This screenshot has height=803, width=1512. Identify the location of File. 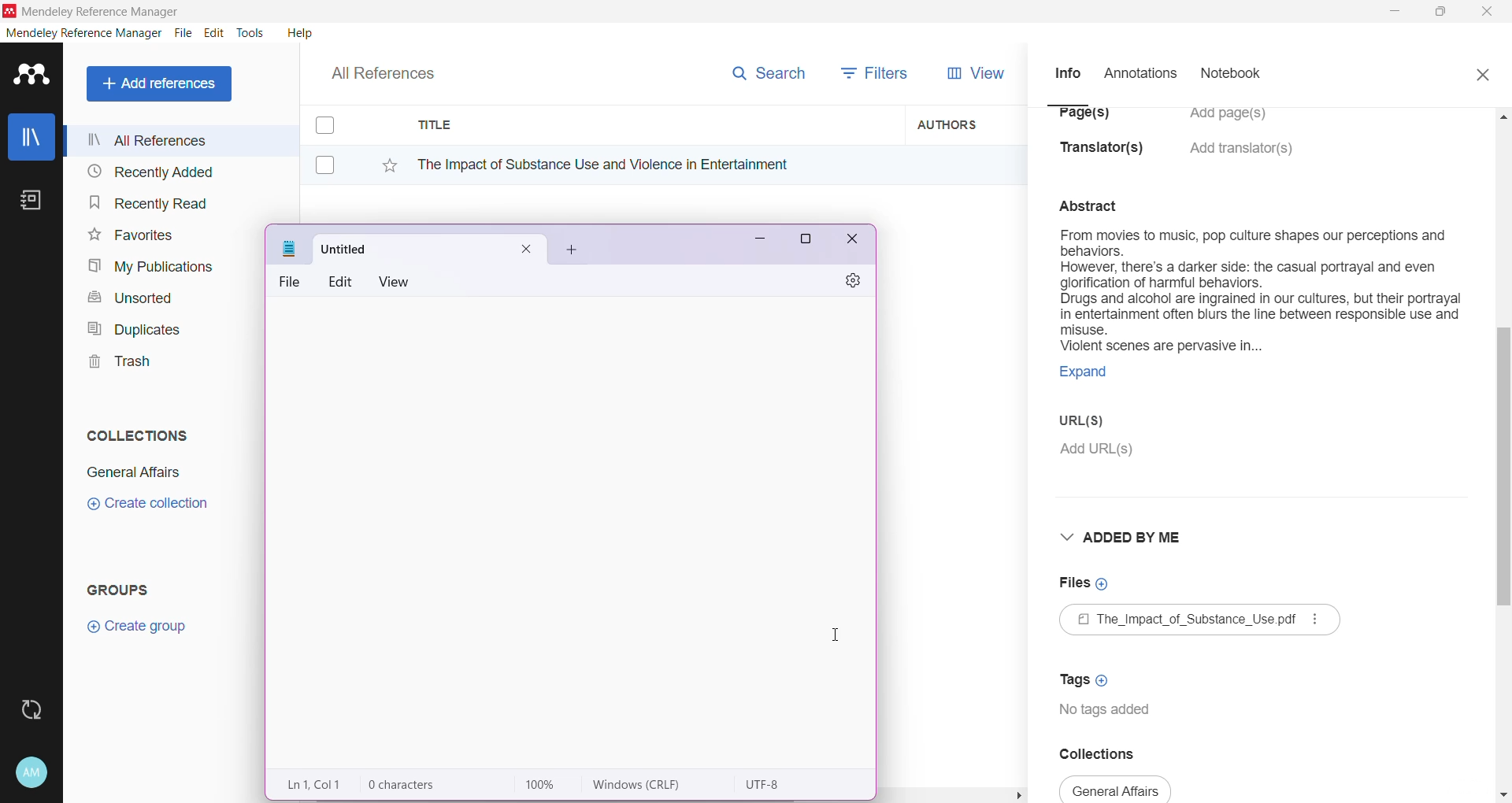
(293, 282).